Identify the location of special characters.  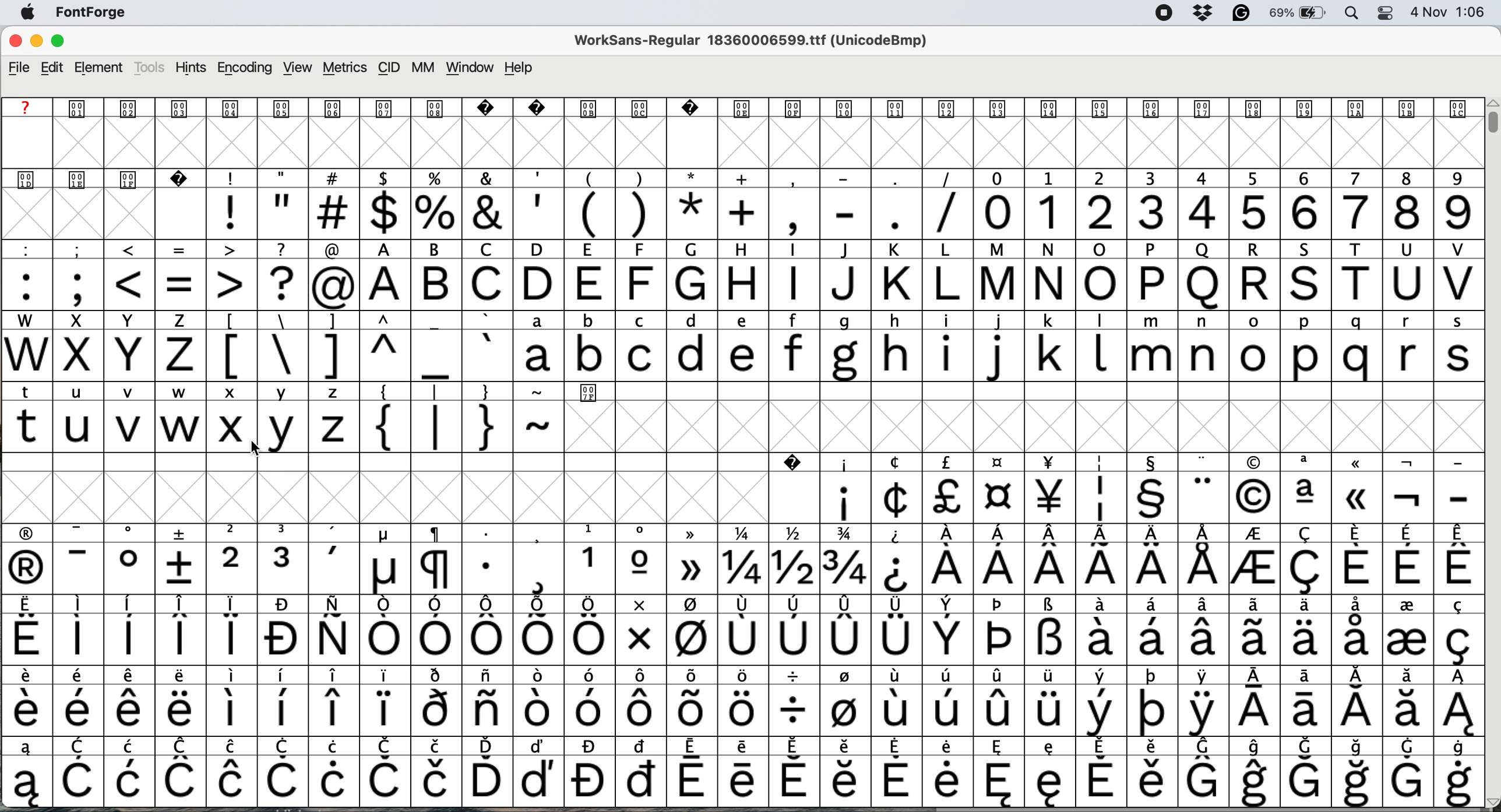
(737, 710).